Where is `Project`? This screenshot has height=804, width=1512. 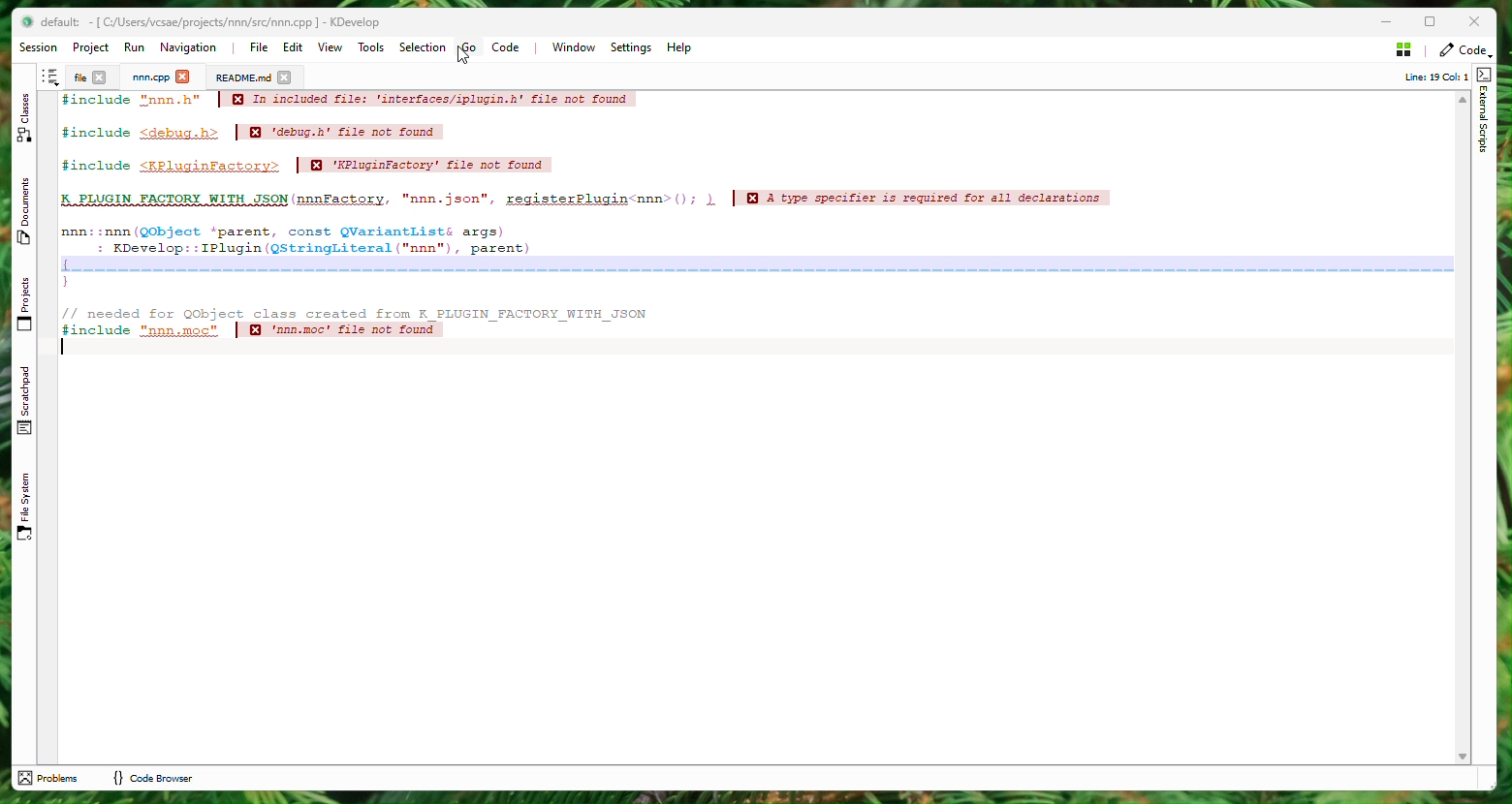 Project is located at coordinates (90, 47).